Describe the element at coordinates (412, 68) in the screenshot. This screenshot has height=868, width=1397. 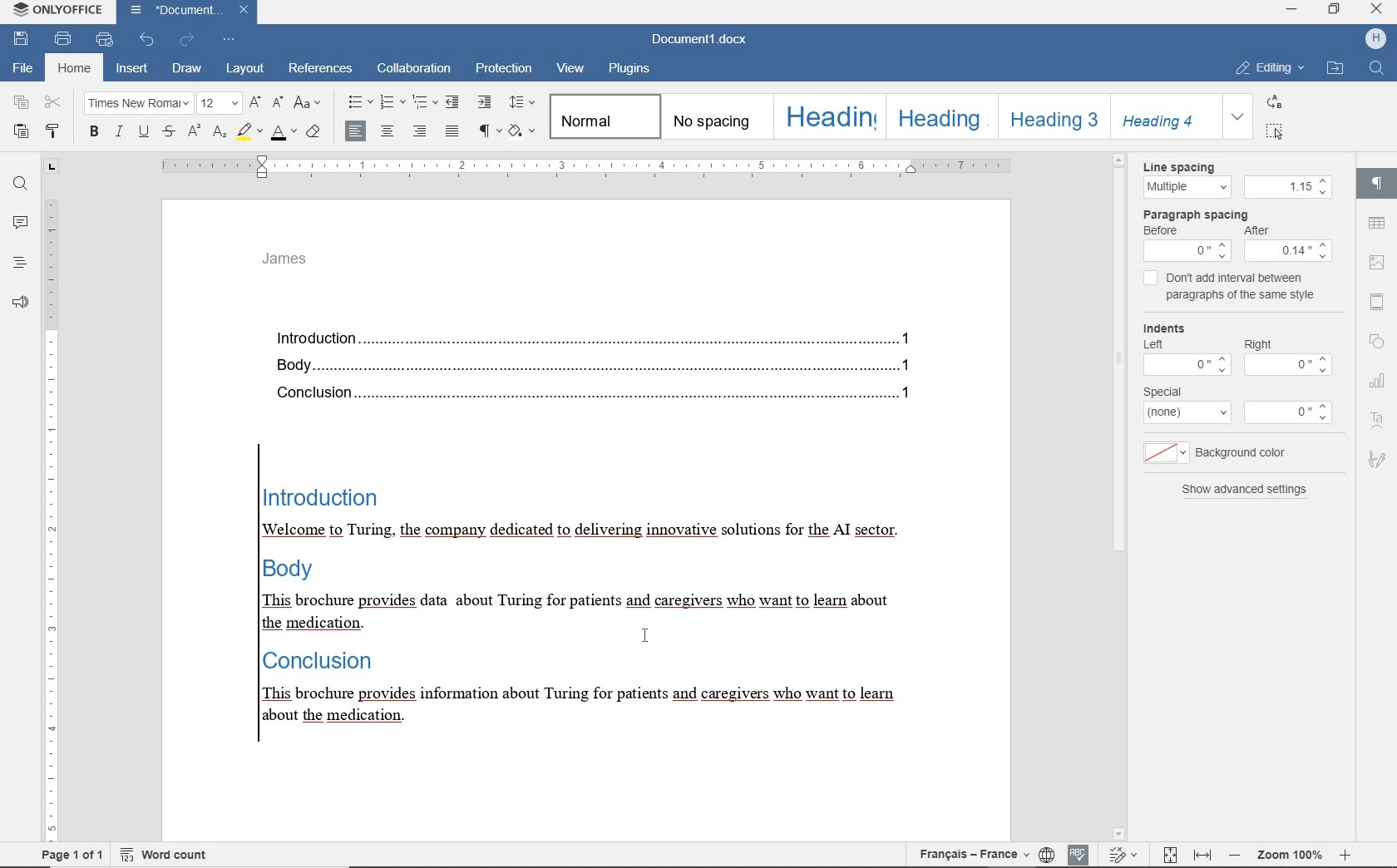
I see `collaboration` at that location.